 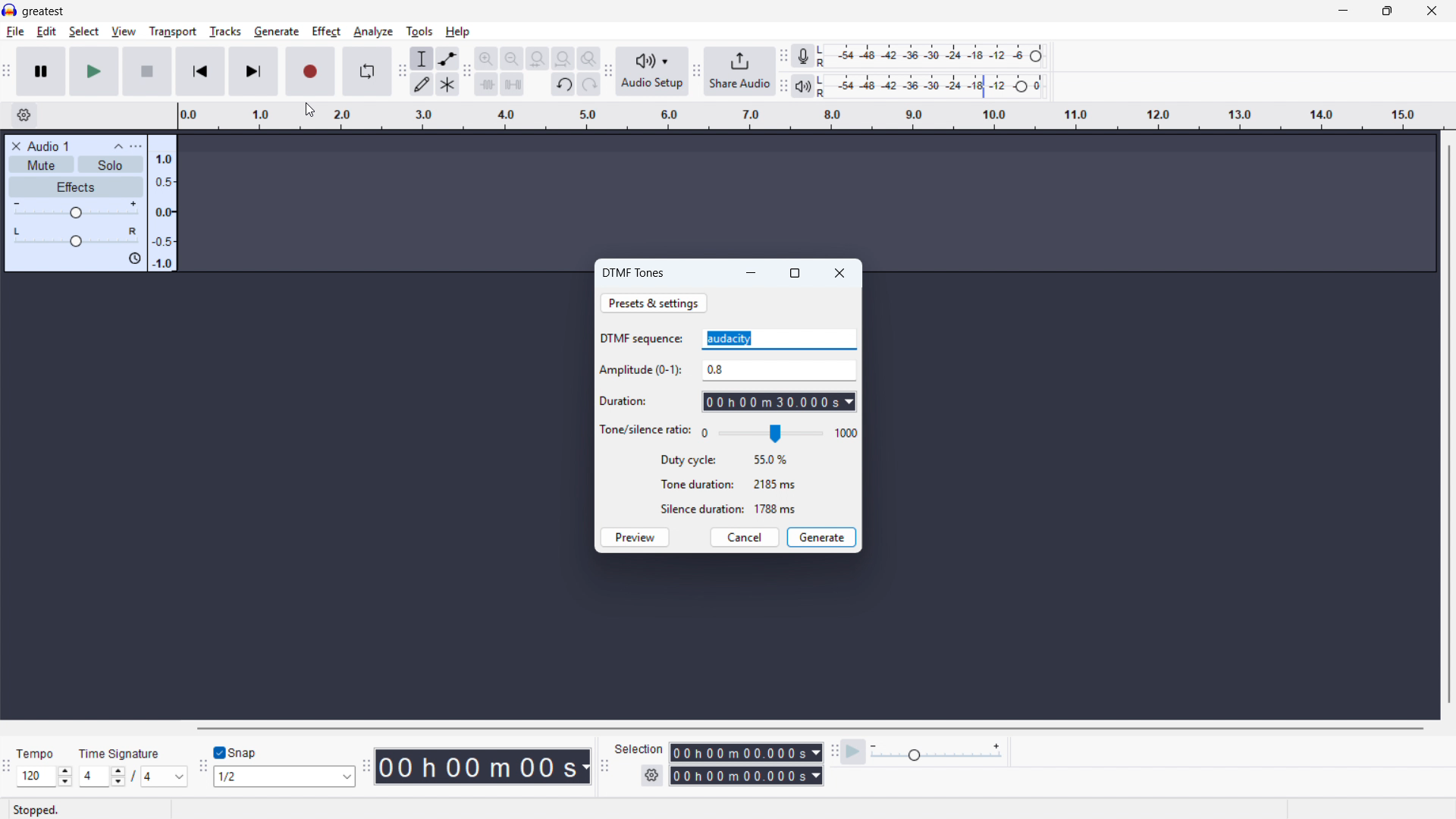 What do you see at coordinates (745, 774) in the screenshot?
I see `Selection end time` at bounding box center [745, 774].